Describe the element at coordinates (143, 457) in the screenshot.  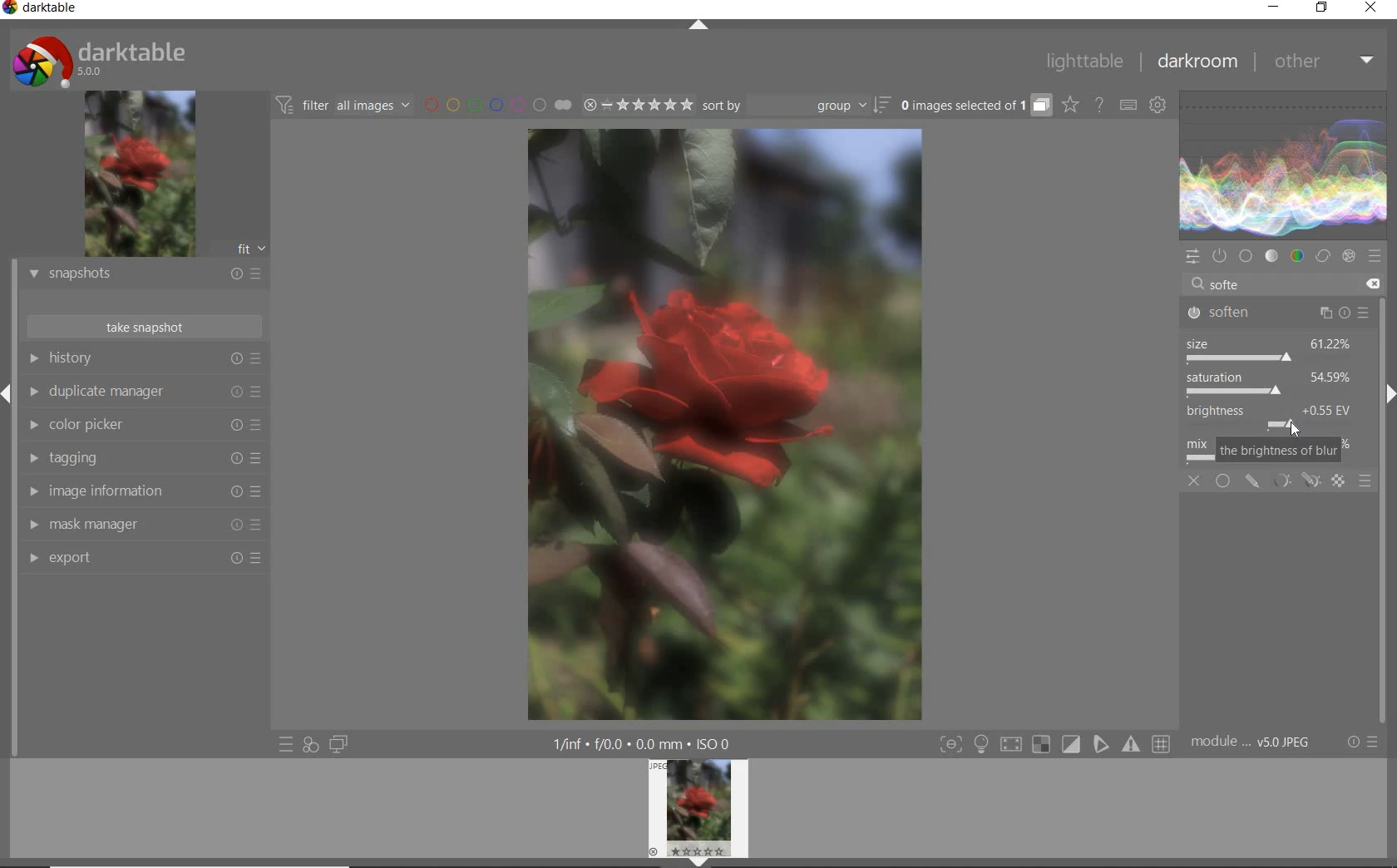
I see `tagging` at that location.